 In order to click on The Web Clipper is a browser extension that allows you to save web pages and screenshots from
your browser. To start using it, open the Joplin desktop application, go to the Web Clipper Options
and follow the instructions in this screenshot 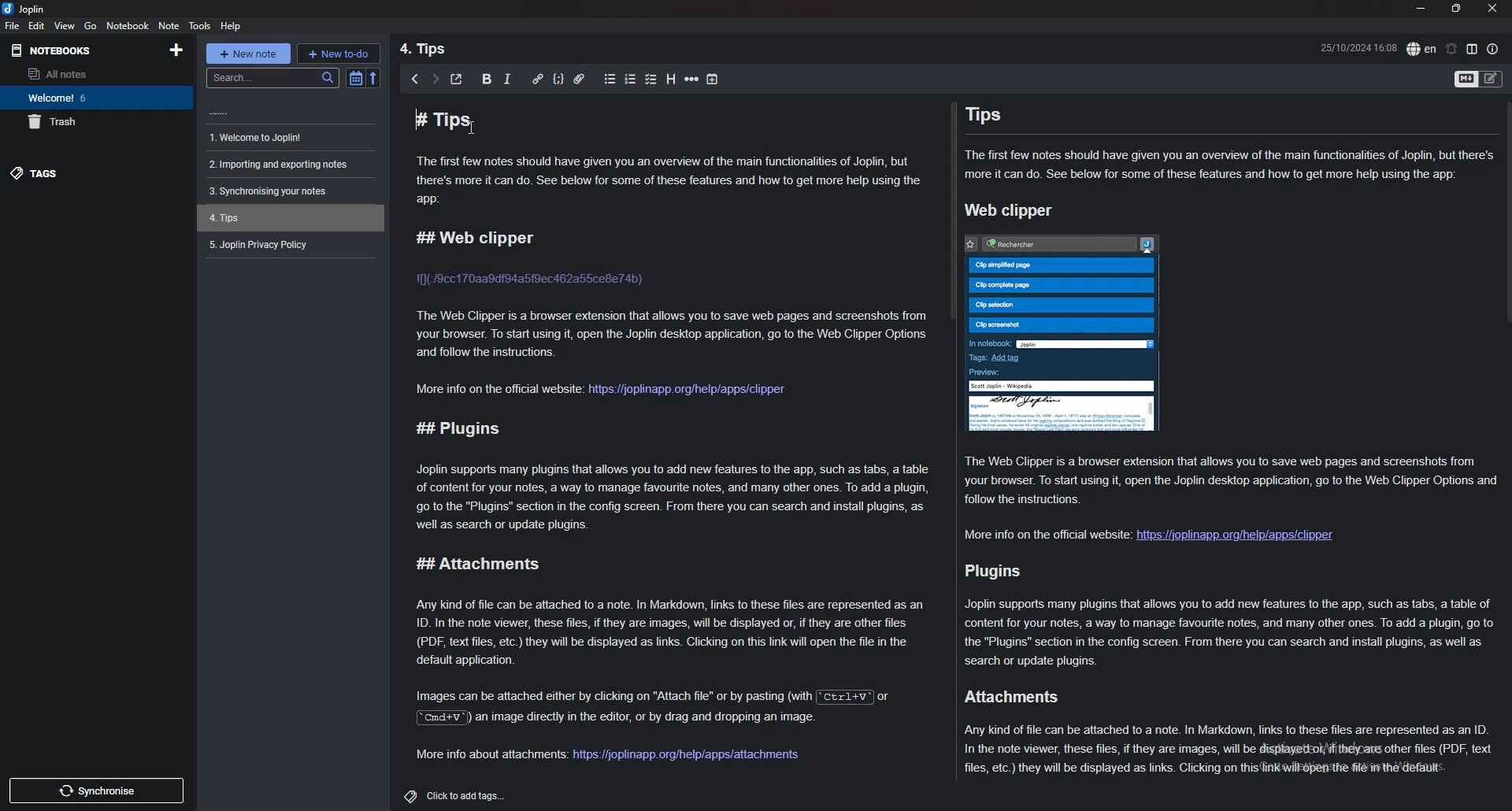, I will do `click(672, 335)`.